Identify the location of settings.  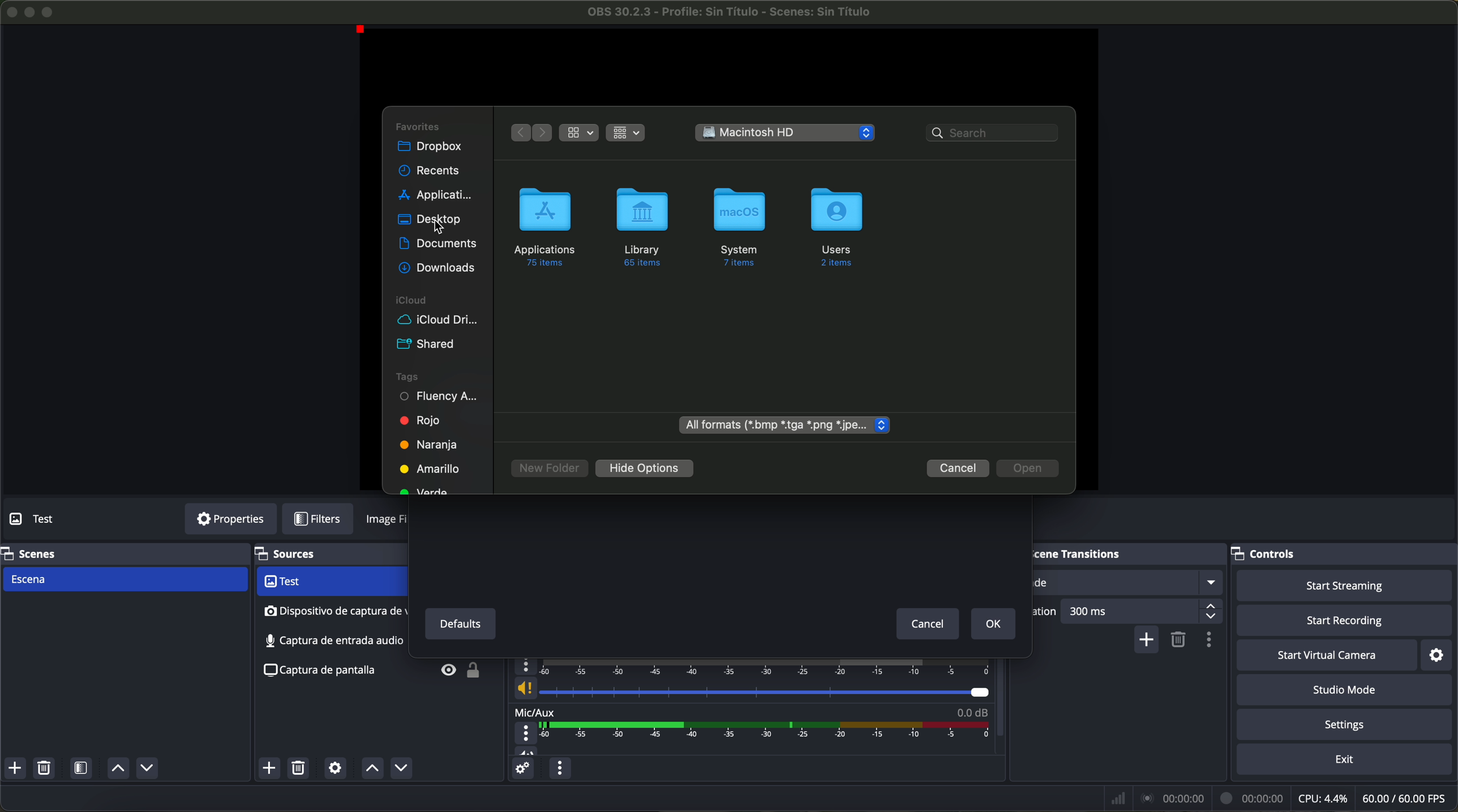
(1348, 725).